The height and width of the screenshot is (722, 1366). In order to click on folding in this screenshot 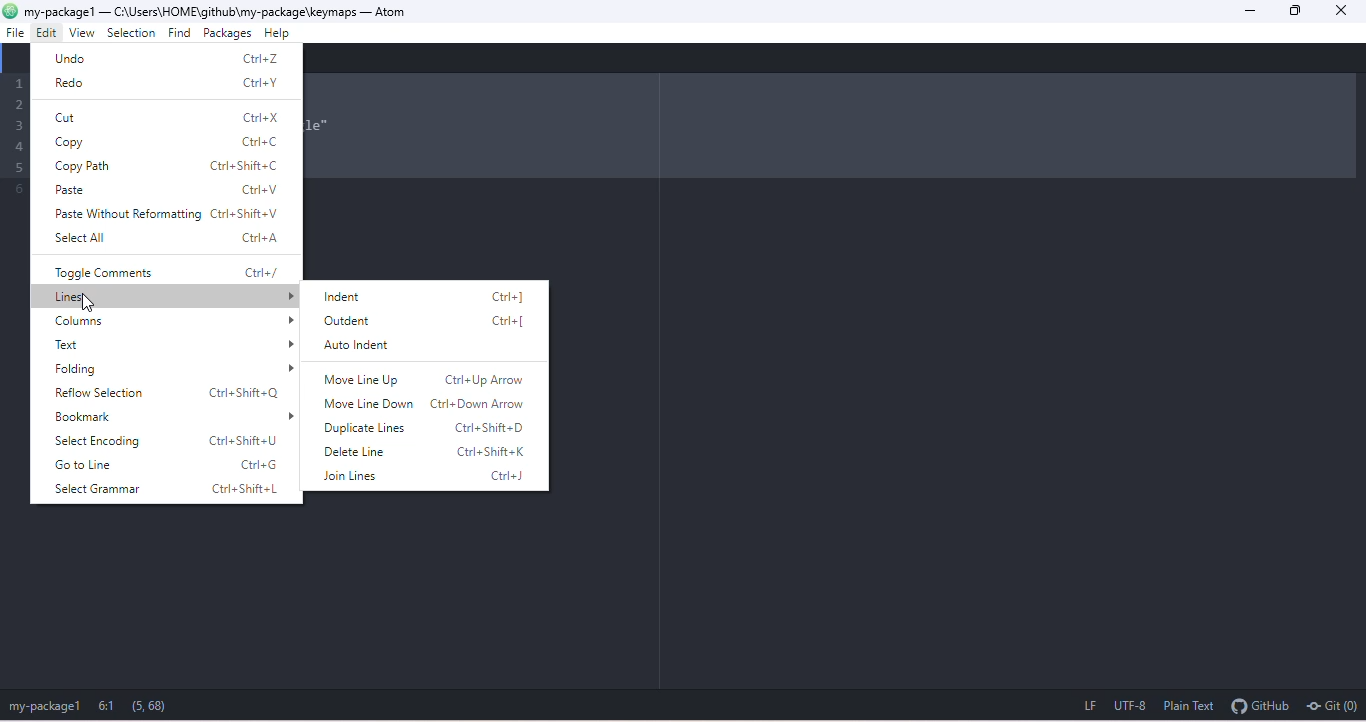, I will do `click(171, 369)`.